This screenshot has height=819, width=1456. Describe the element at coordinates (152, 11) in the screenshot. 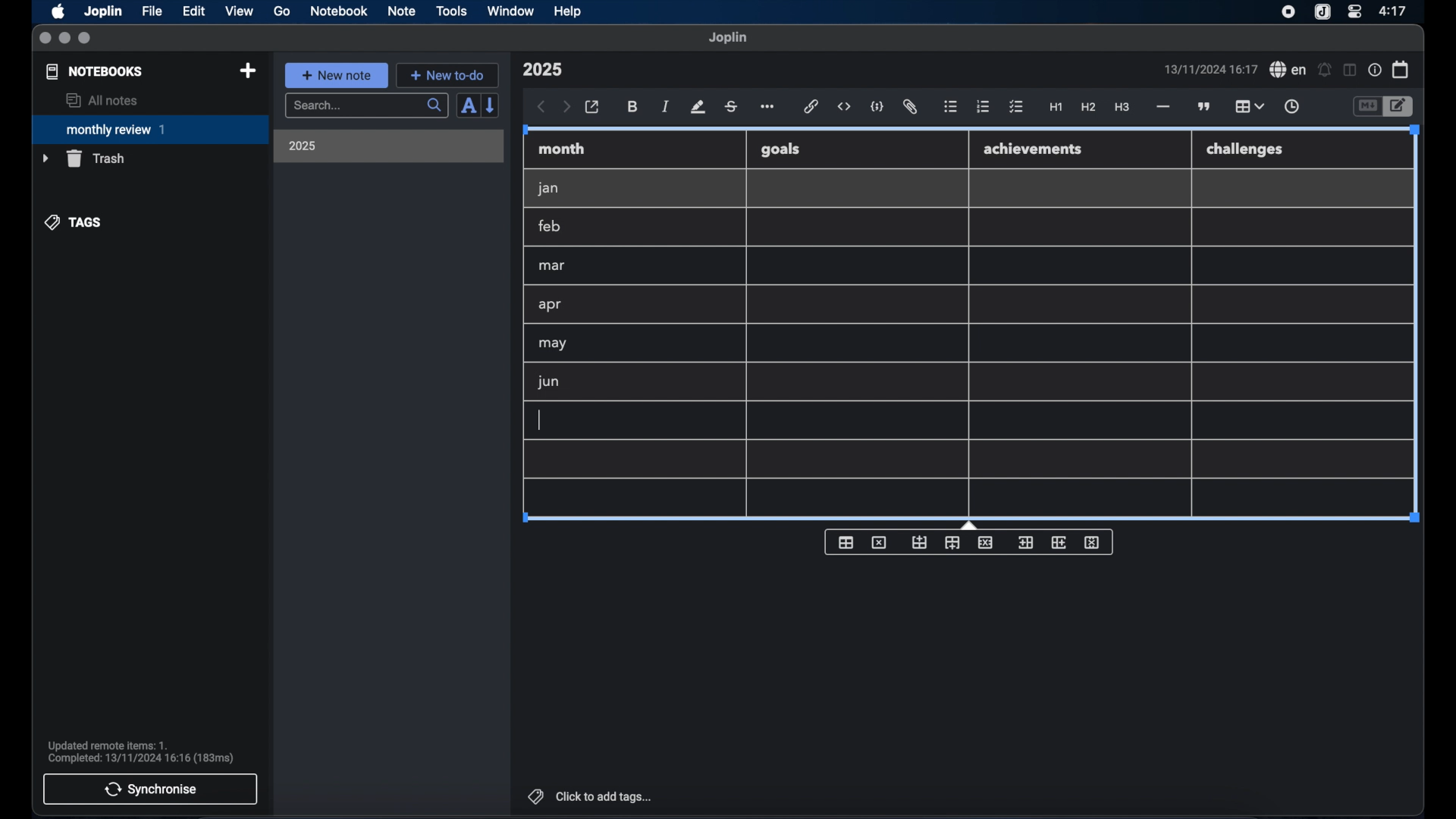

I see `file` at that location.